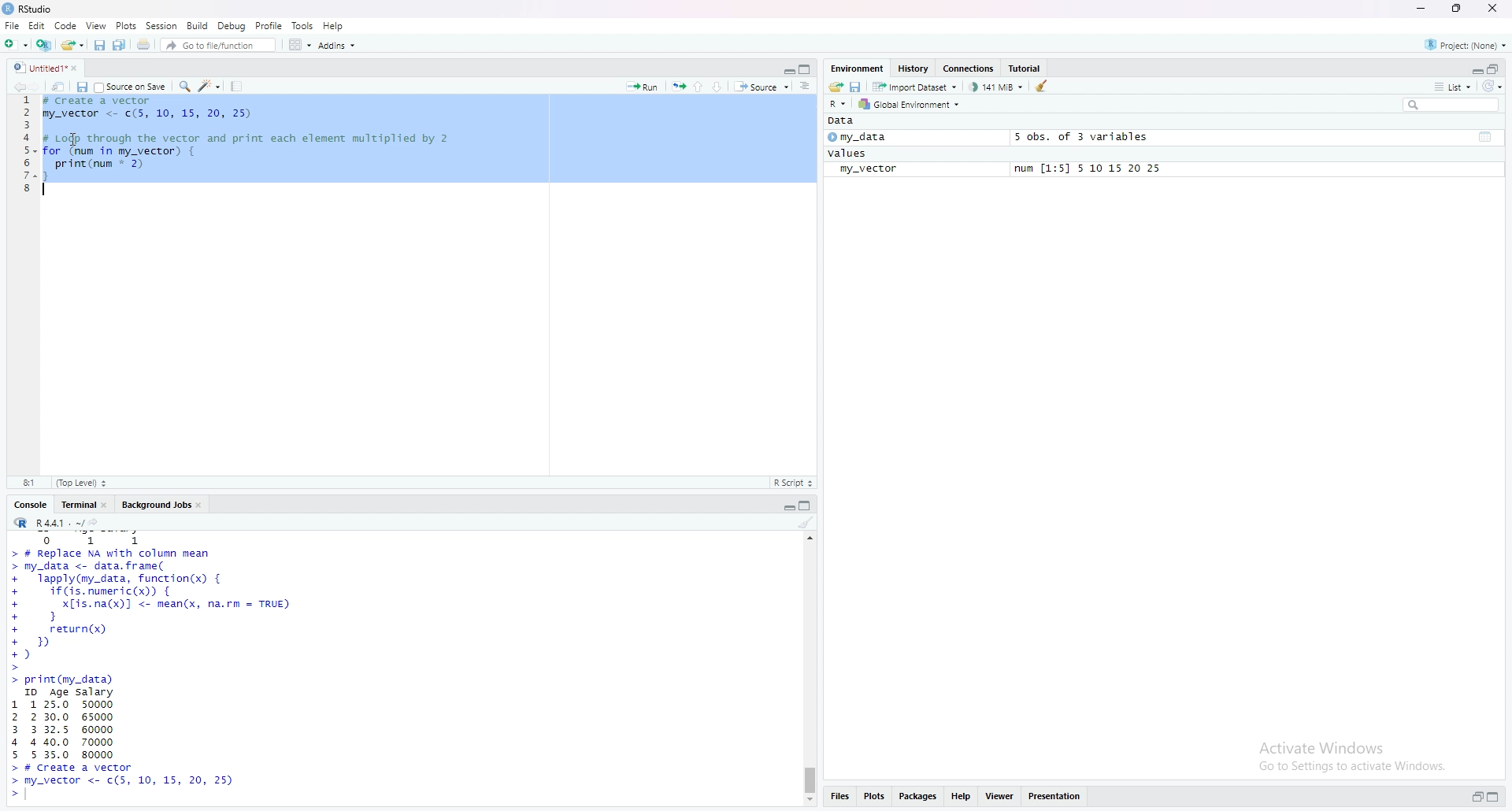  Describe the element at coordinates (238, 86) in the screenshot. I see `compile report` at that location.